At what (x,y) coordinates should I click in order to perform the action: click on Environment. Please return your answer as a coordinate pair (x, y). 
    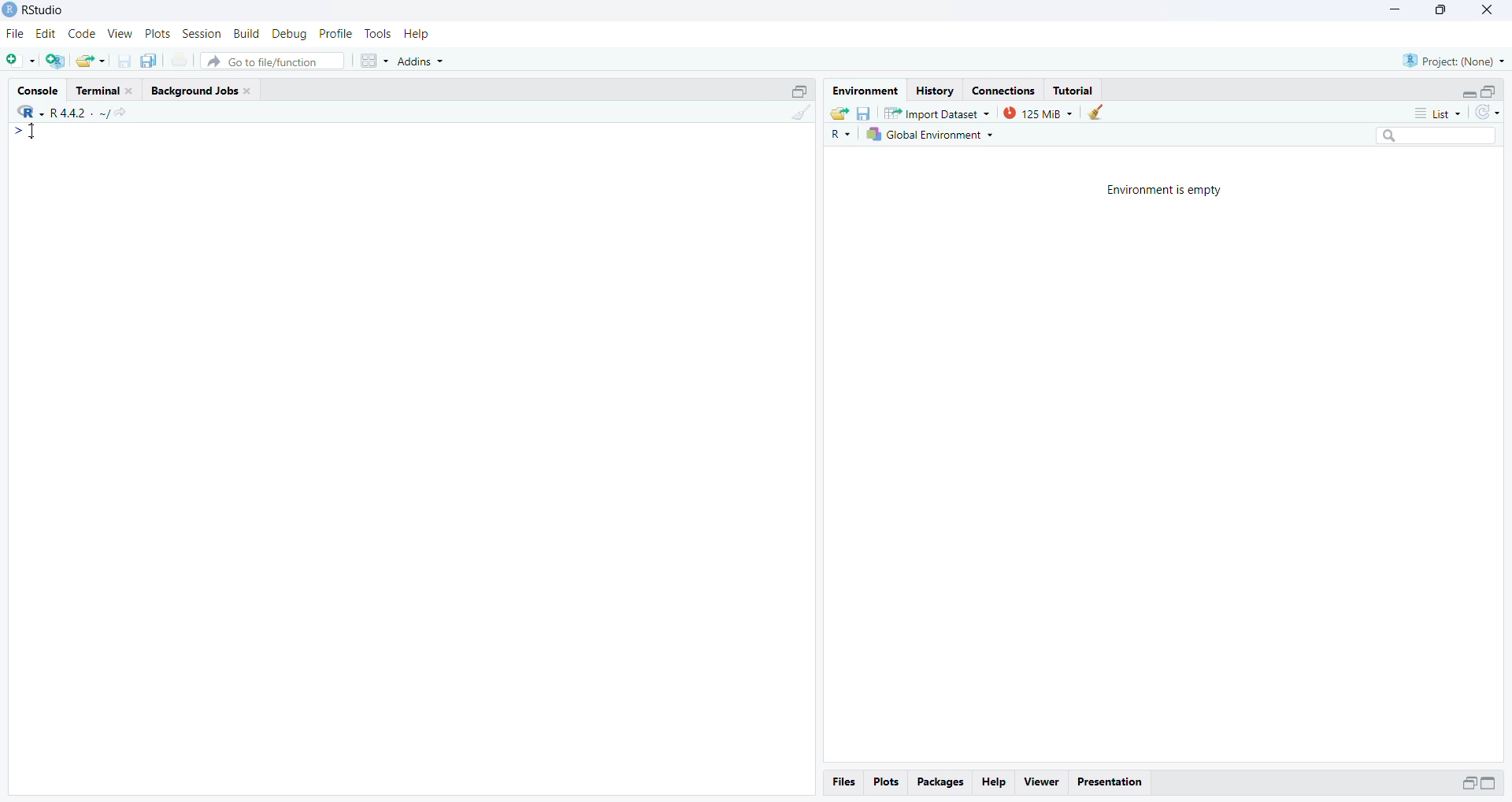
    Looking at the image, I should click on (863, 89).